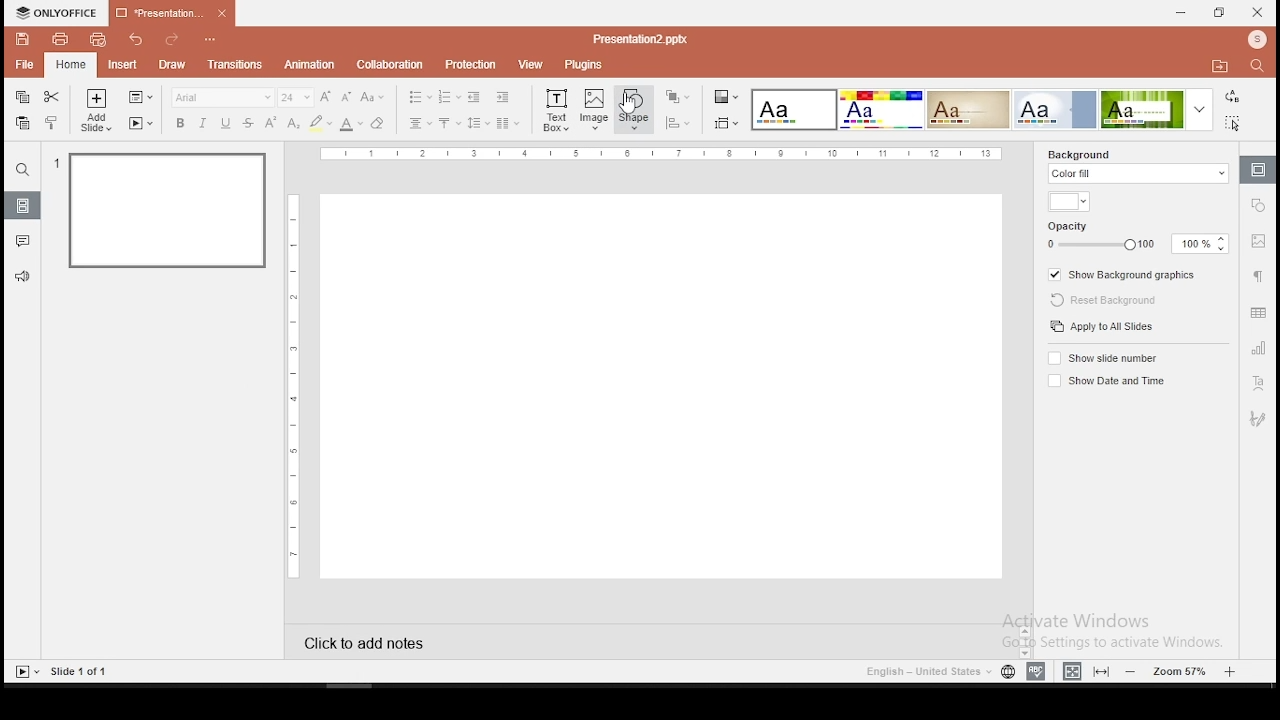 The height and width of the screenshot is (720, 1280). Describe the element at coordinates (22, 241) in the screenshot. I see `comments` at that location.